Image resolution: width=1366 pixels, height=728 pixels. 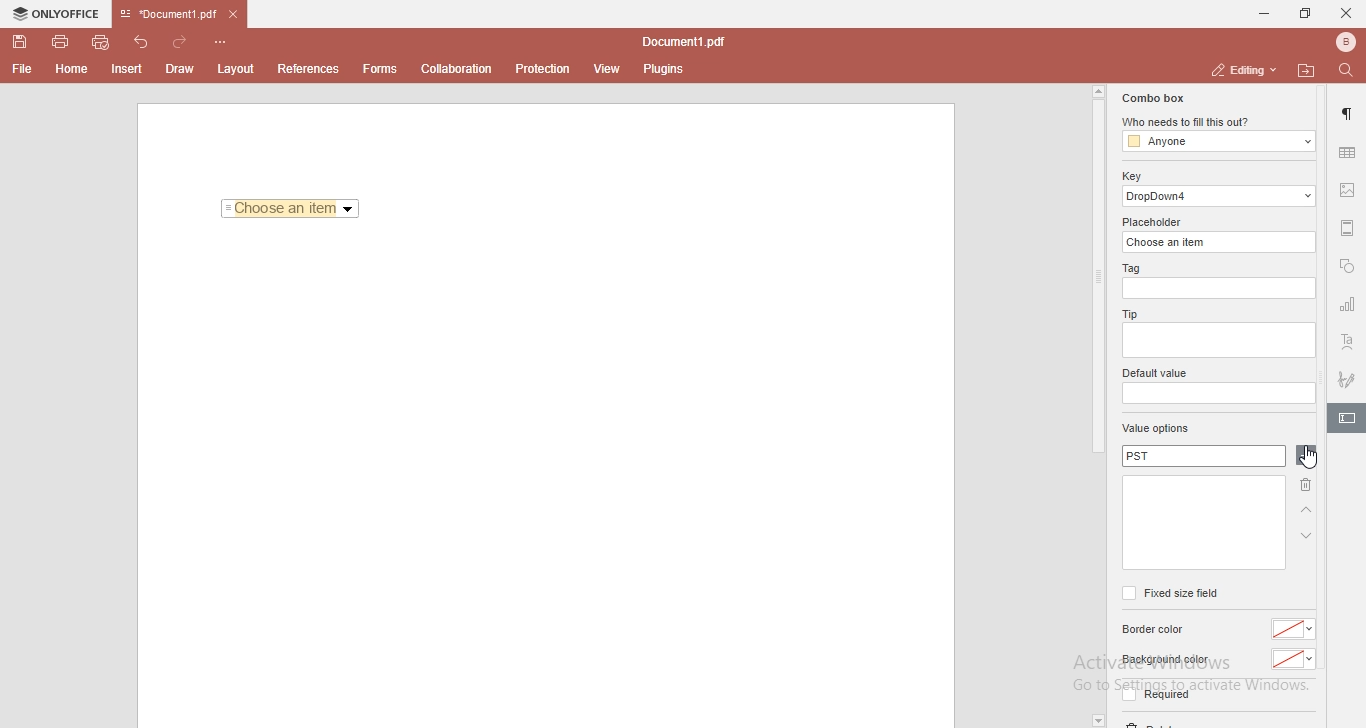 What do you see at coordinates (306, 69) in the screenshot?
I see `References` at bounding box center [306, 69].